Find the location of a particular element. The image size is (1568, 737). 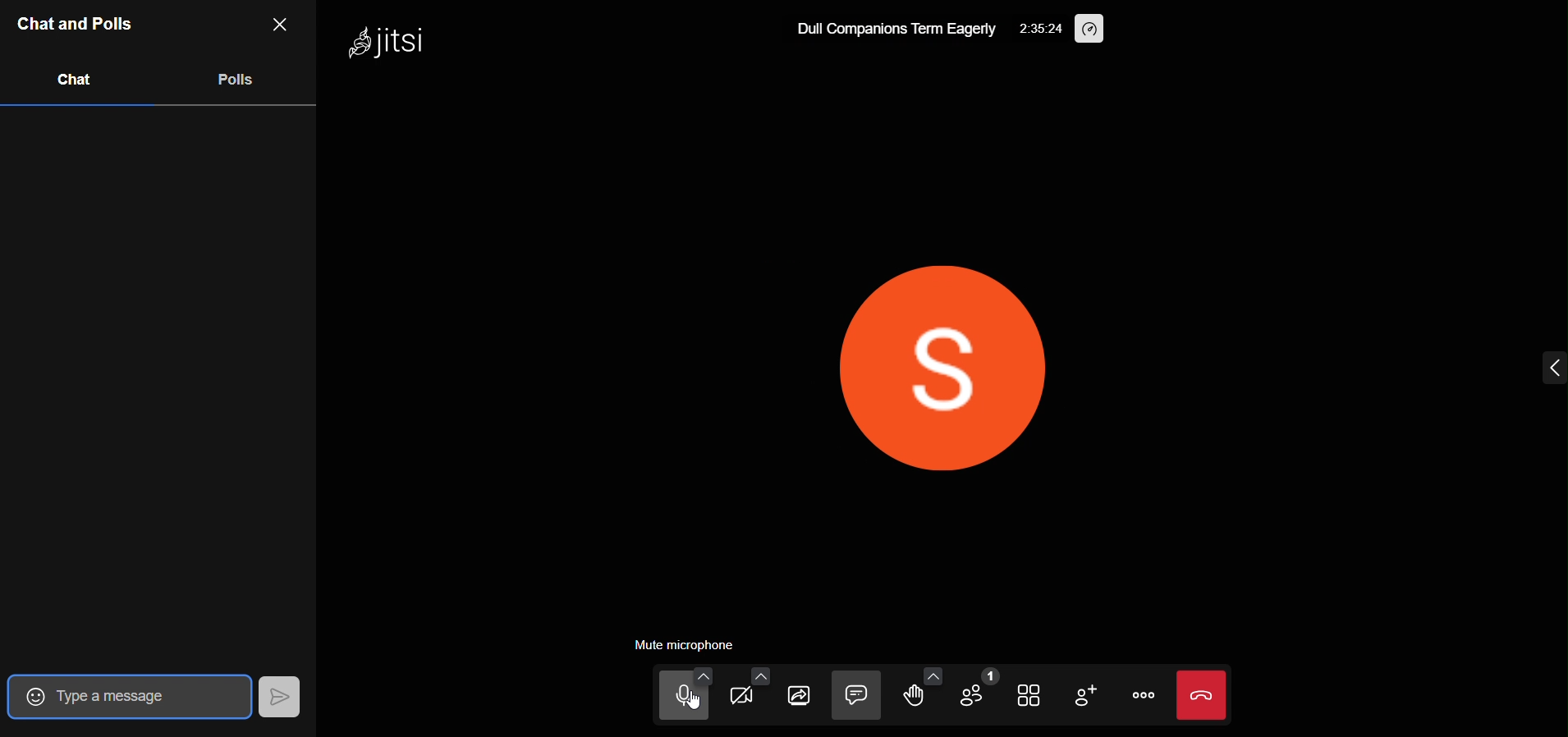

meeting title is located at coordinates (895, 27).